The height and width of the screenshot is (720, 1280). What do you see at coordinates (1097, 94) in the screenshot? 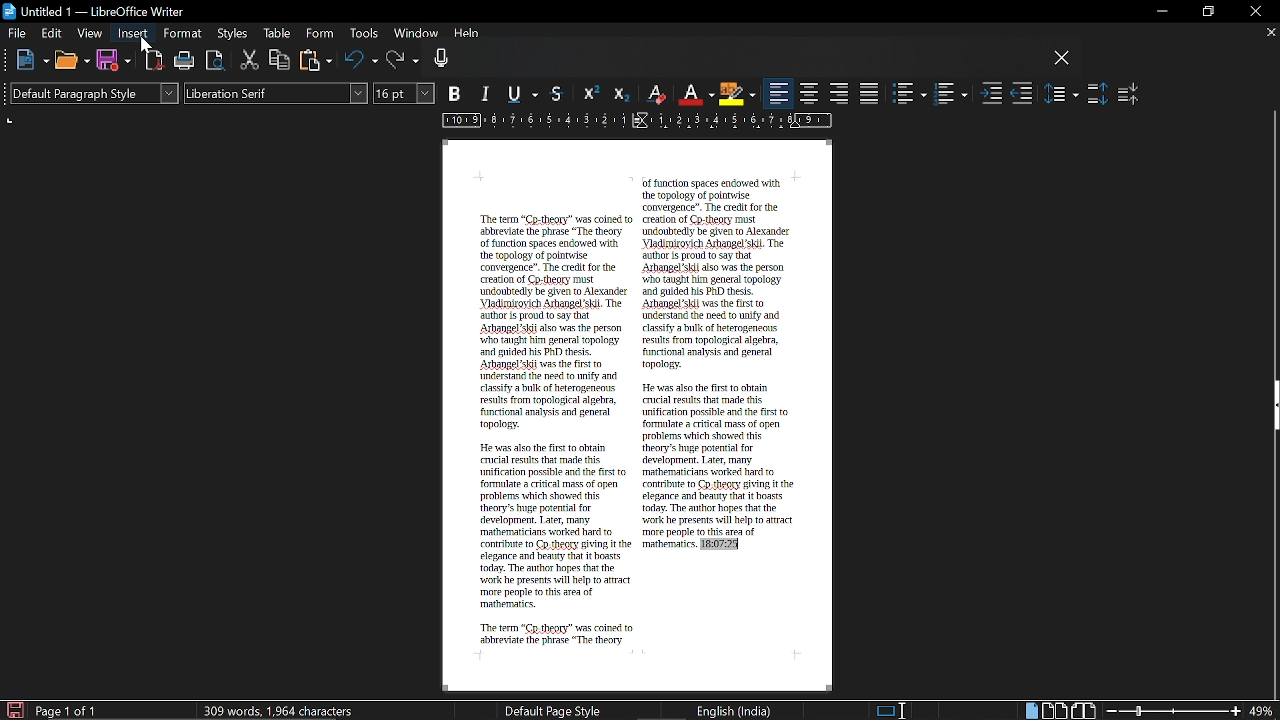
I see `Increase paragraph spacing` at bounding box center [1097, 94].